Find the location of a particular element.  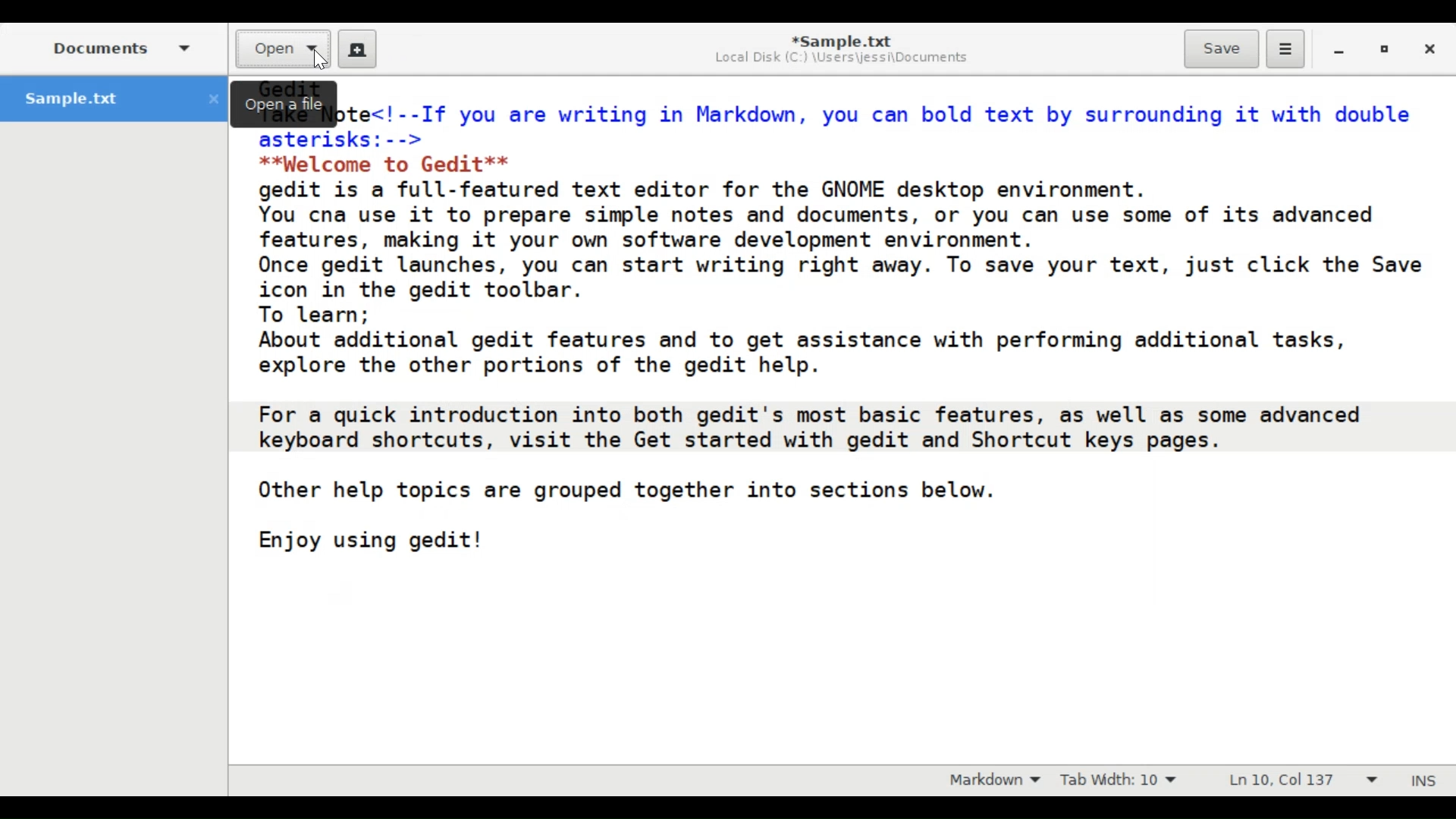

minimize is located at coordinates (1341, 49).